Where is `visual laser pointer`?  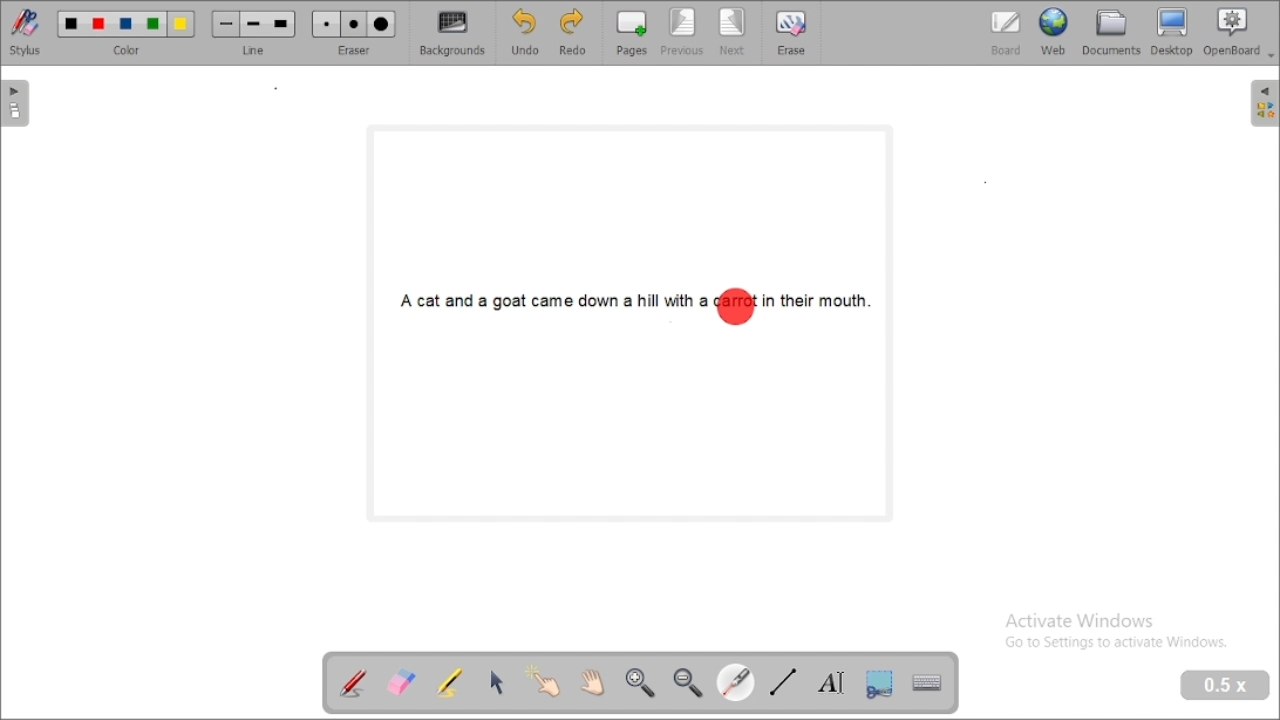
visual laser pointer is located at coordinates (735, 681).